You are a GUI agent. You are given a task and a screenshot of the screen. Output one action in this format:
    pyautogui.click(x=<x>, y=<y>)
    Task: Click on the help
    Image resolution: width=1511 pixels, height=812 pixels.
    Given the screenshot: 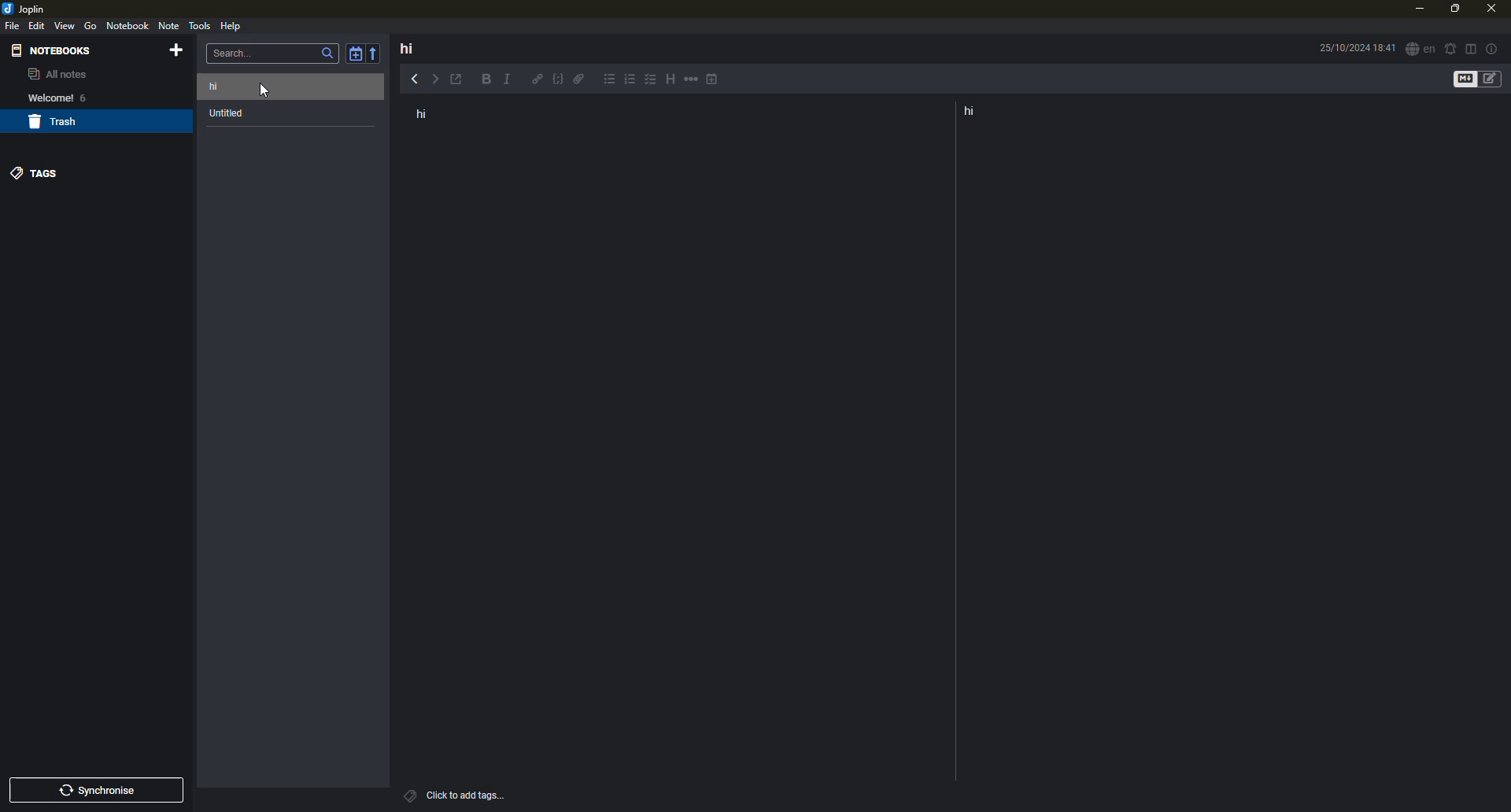 What is the action you would take?
    pyautogui.click(x=231, y=25)
    